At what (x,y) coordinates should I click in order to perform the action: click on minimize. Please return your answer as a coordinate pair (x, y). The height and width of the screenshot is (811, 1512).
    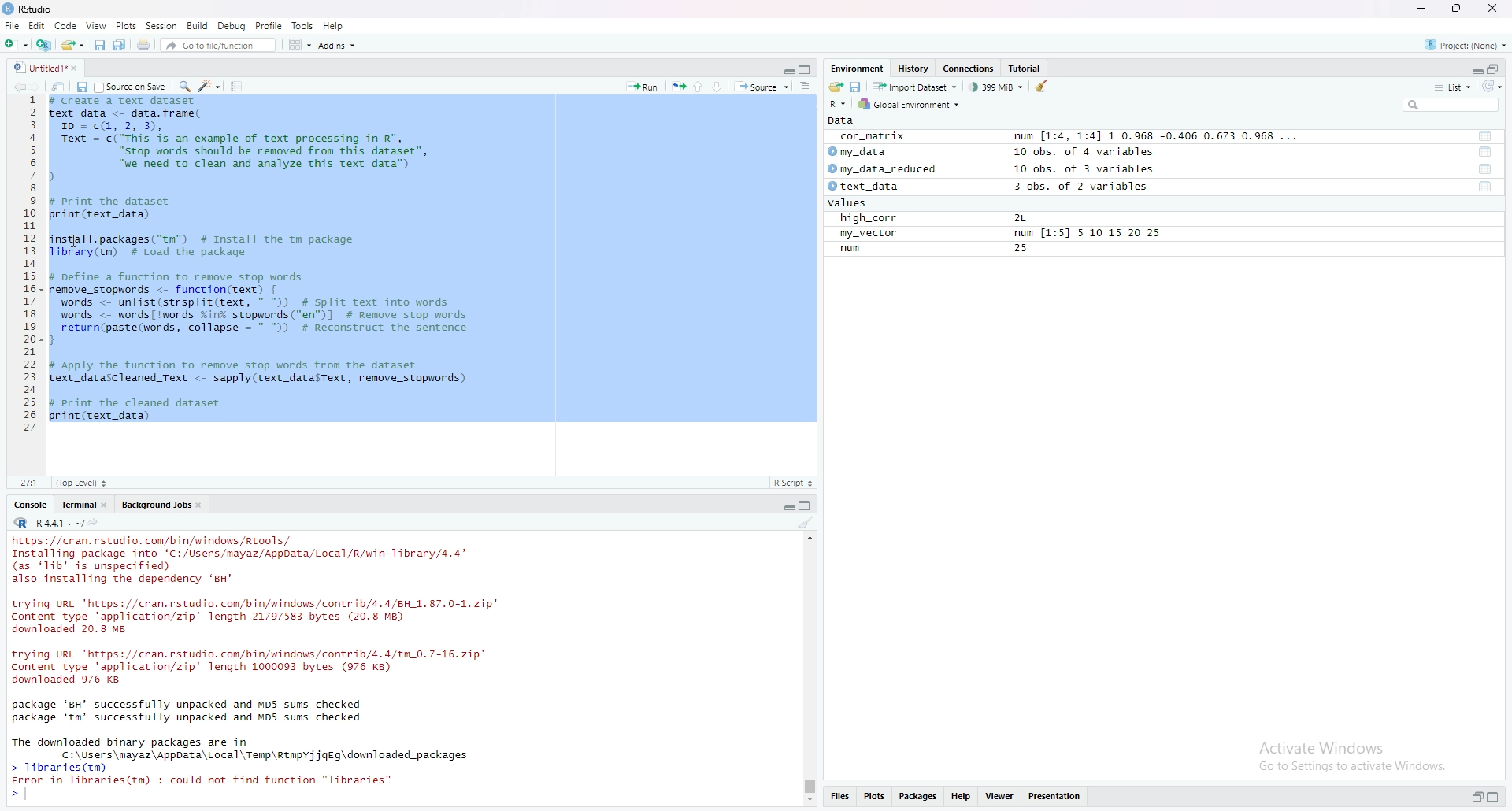
    Looking at the image, I should click on (1420, 8).